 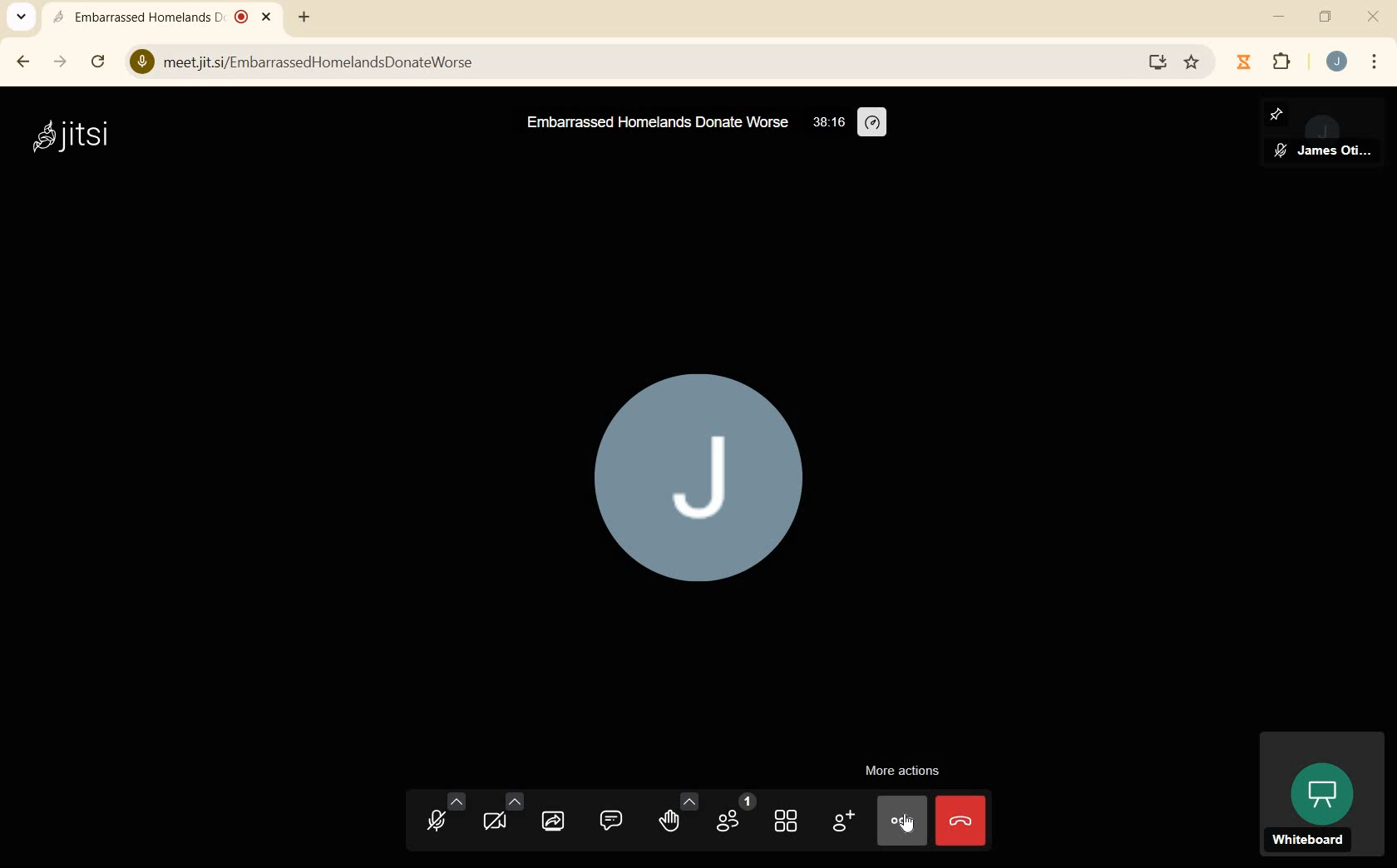 What do you see at coordinates (1320, 796) in the screenshot?
I see `whiteboard` at bounding box center [1320, 796].